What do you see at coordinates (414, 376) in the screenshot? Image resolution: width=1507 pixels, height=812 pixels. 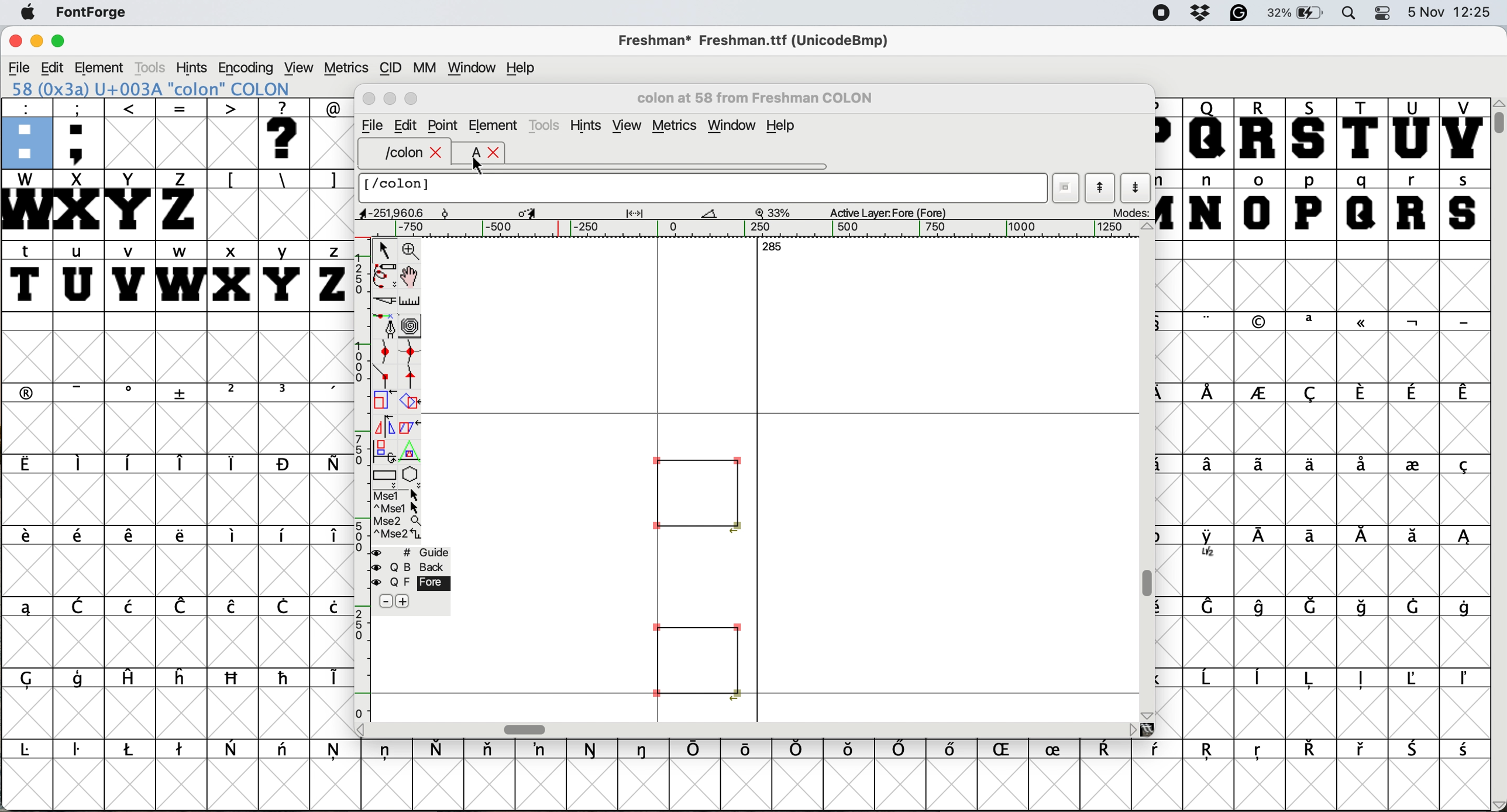 I see `add a tangent point` at bounding box center [414, 376].